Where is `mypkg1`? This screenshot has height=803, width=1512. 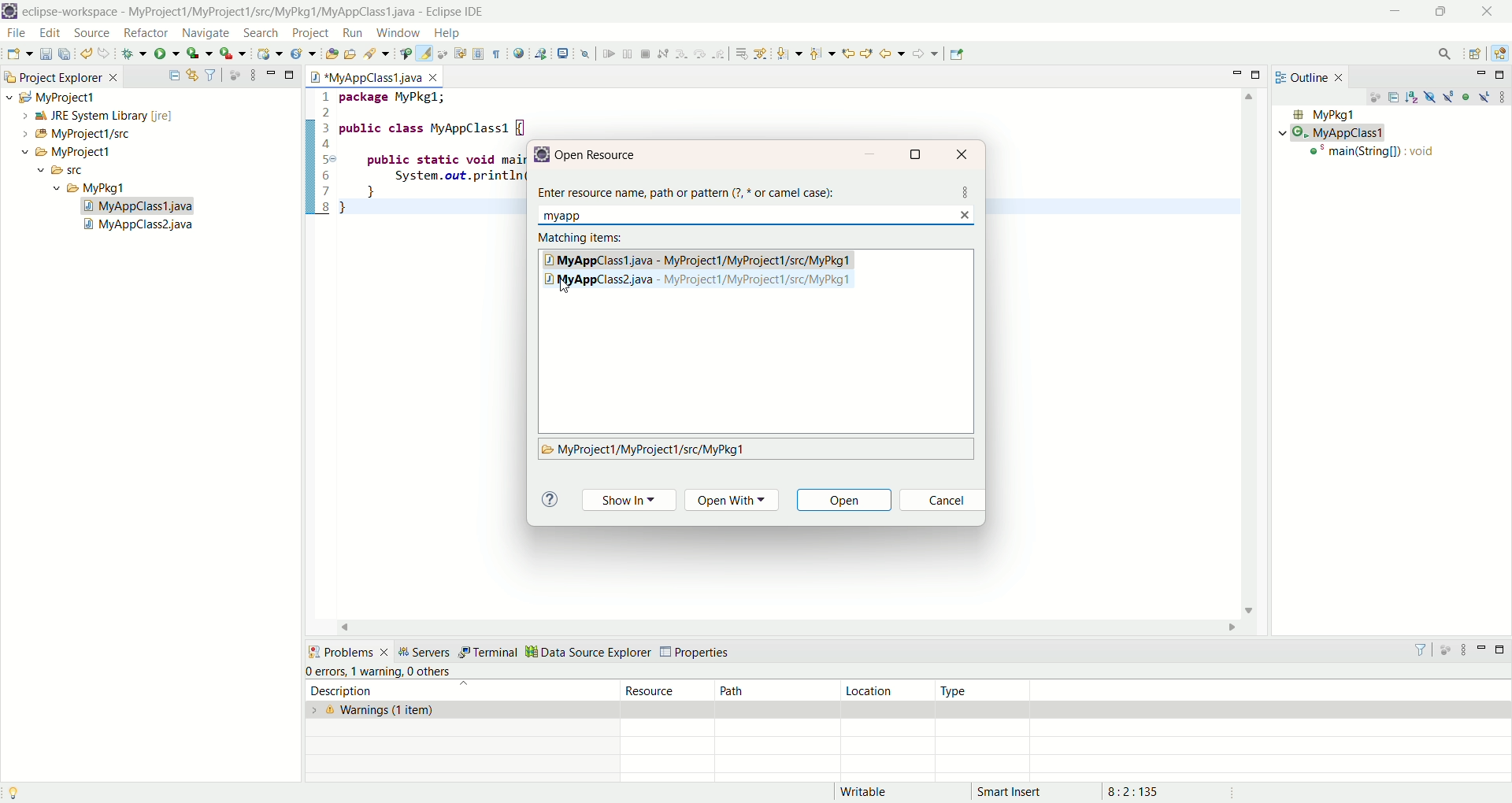
mypkg1 is located at coordinates (91, 188).